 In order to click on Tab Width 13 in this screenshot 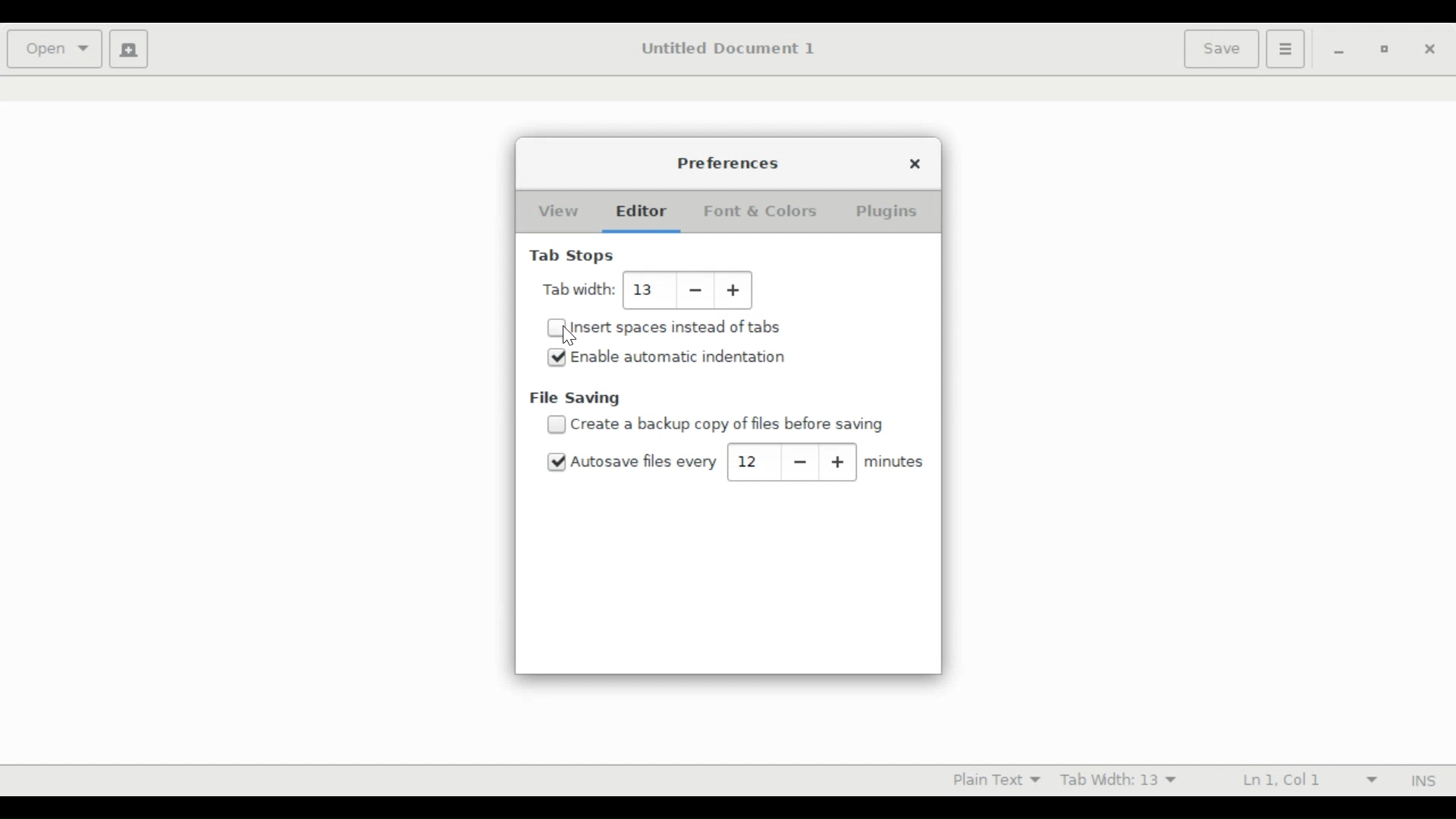, I will do `click(1122, 782)`.